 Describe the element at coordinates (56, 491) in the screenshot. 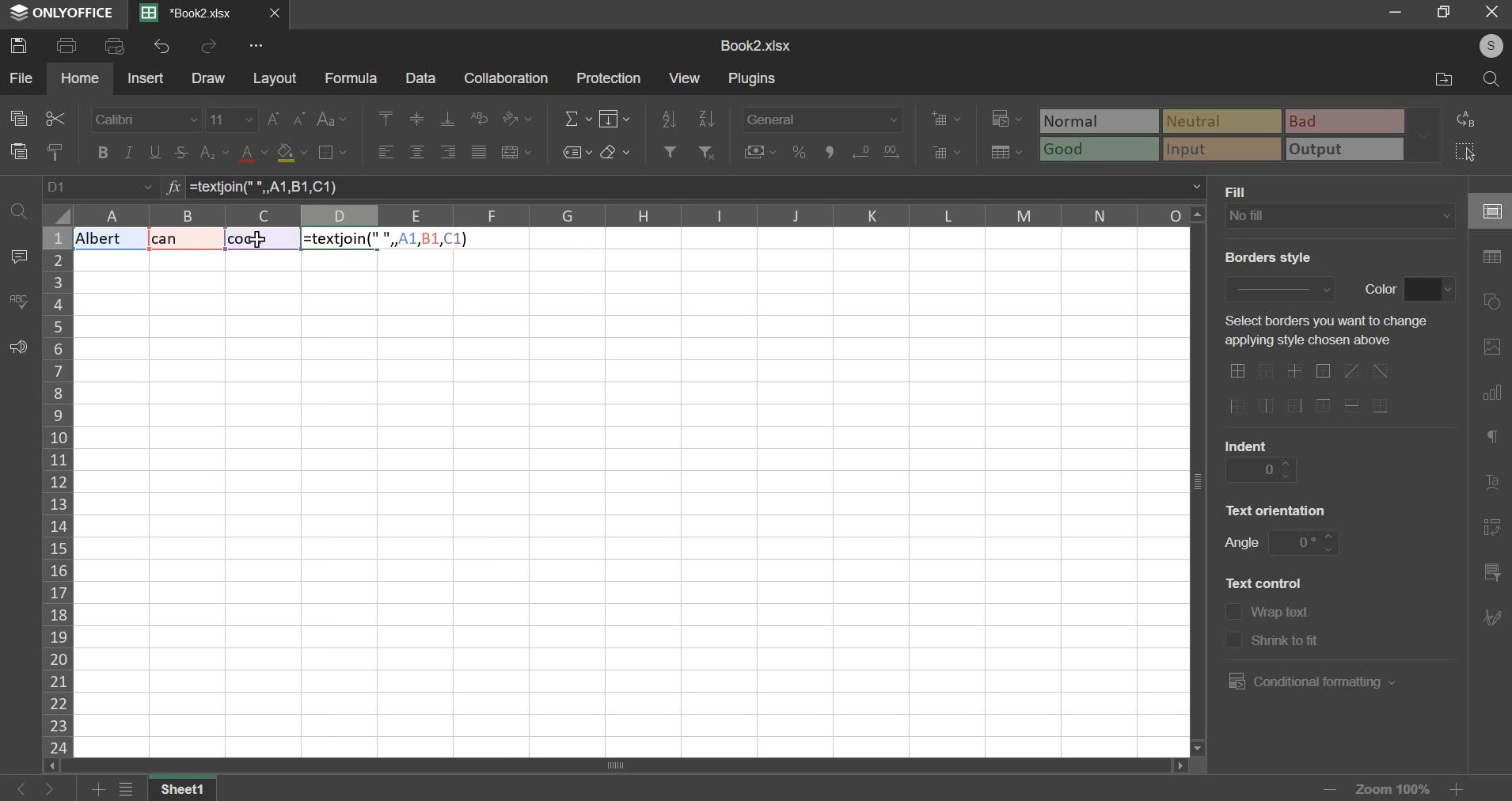

I see `column` at that location.